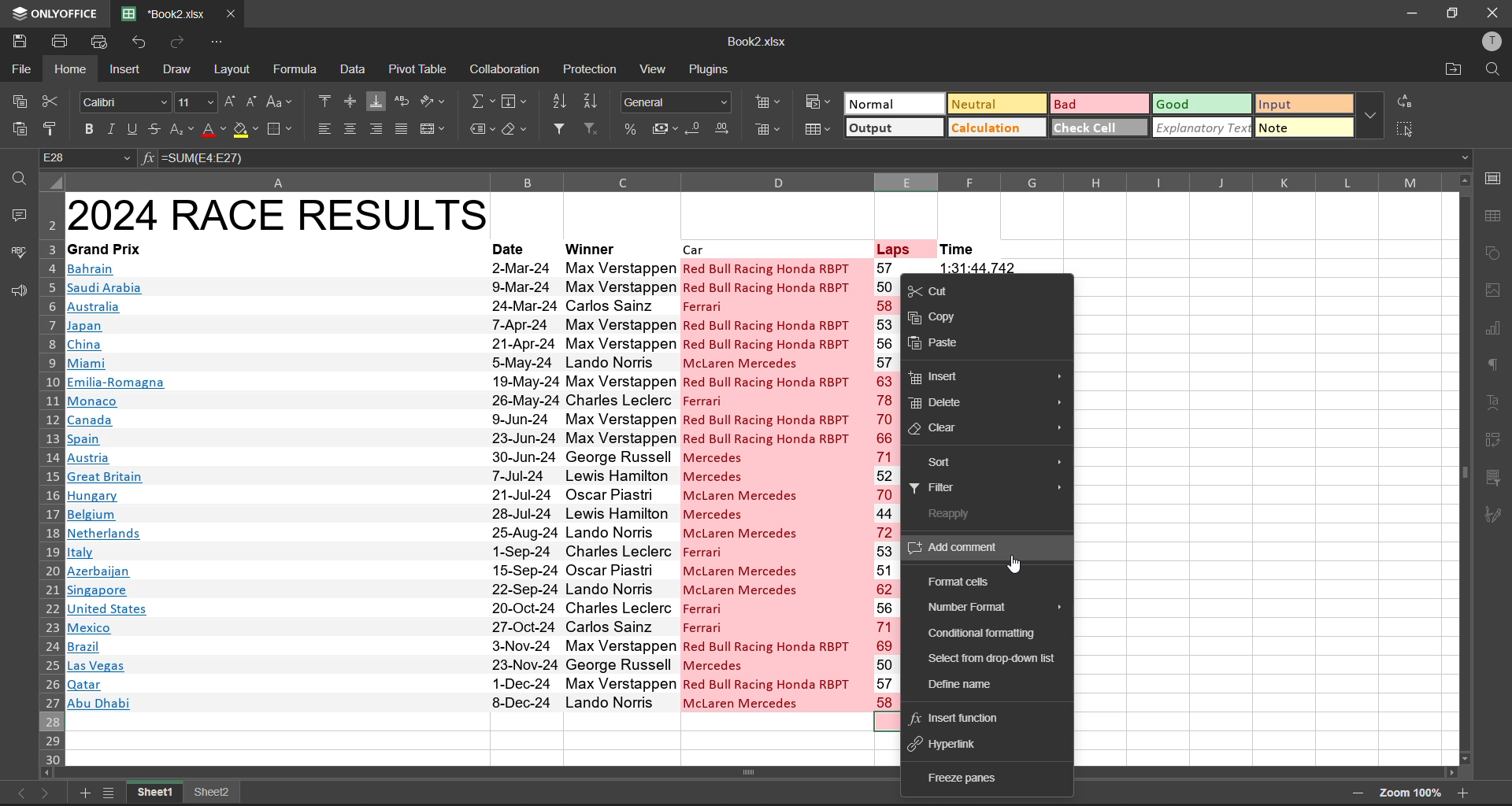  What do you see at coordinates (1494, 216) in the screenshot?
I see `table` at bounding box center [1494, 216].